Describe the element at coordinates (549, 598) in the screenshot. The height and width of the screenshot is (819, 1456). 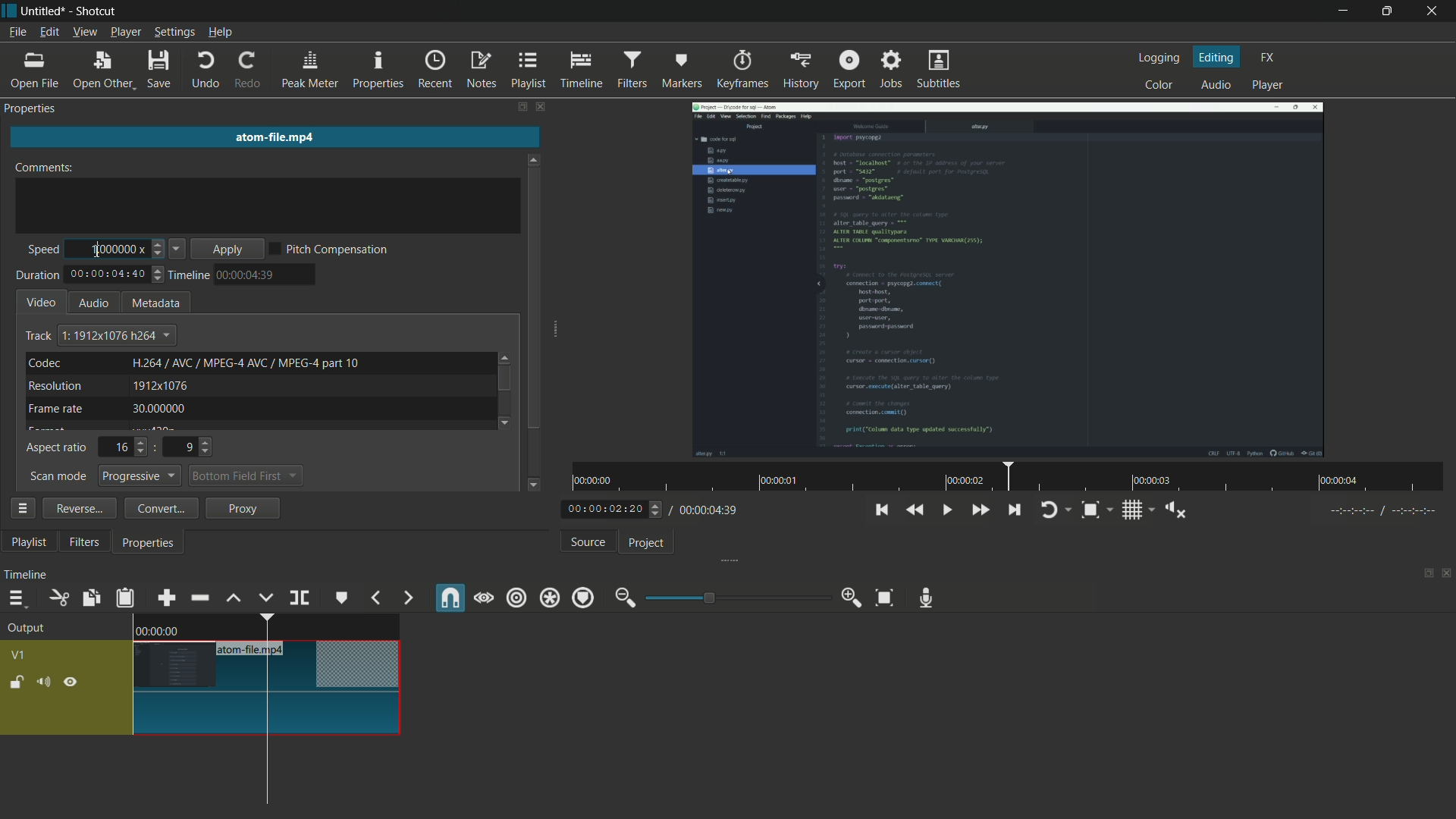
I see `ripple all tracks` at that location.